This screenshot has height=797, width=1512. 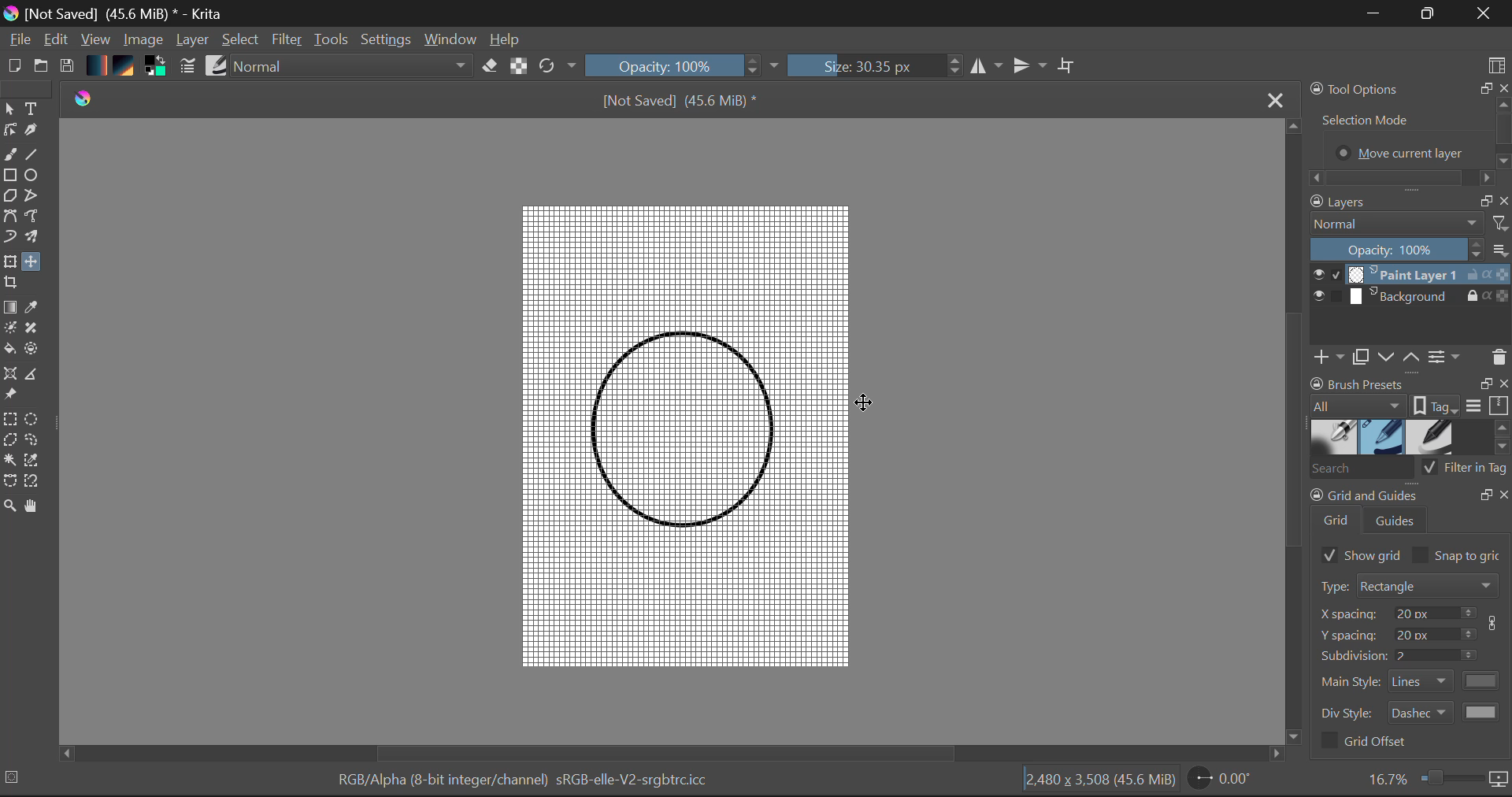 I want to click on Polygon Selection, so click(x=10, y=441).